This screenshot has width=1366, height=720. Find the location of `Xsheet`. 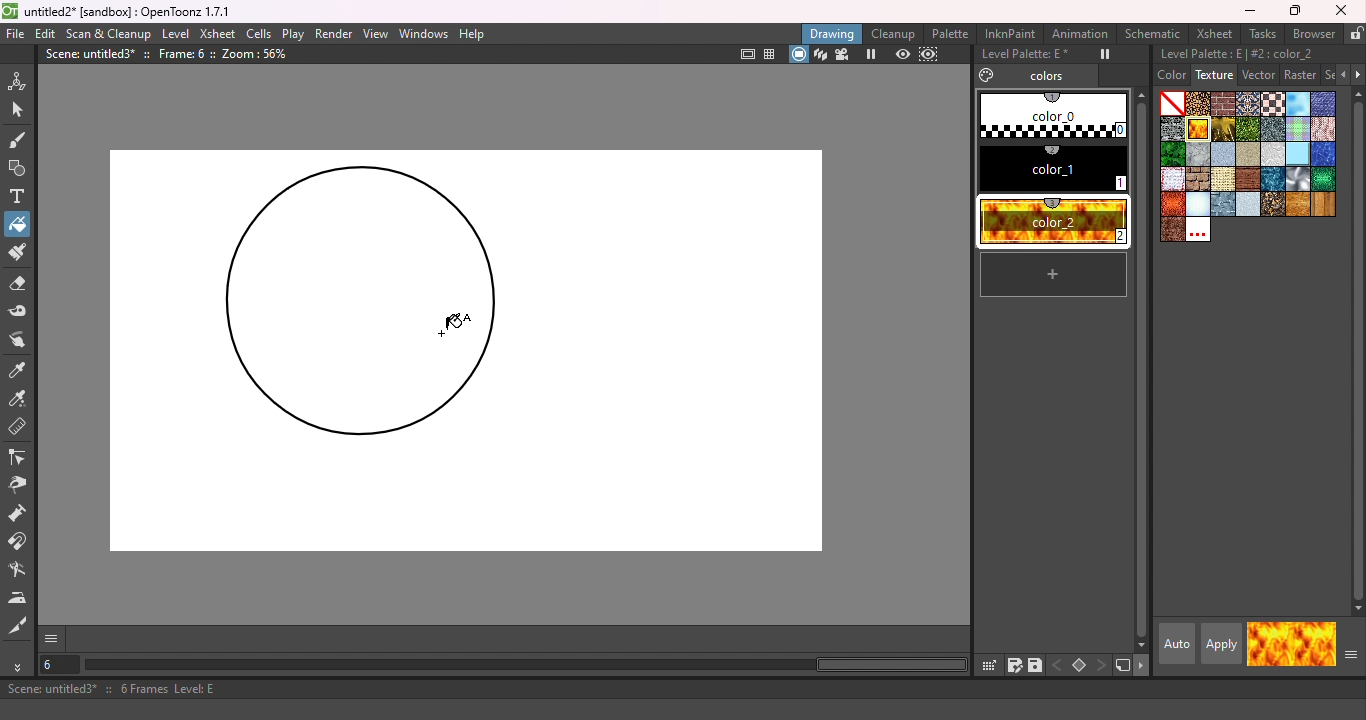

Xsheet is located at coordinates (1214, 34).